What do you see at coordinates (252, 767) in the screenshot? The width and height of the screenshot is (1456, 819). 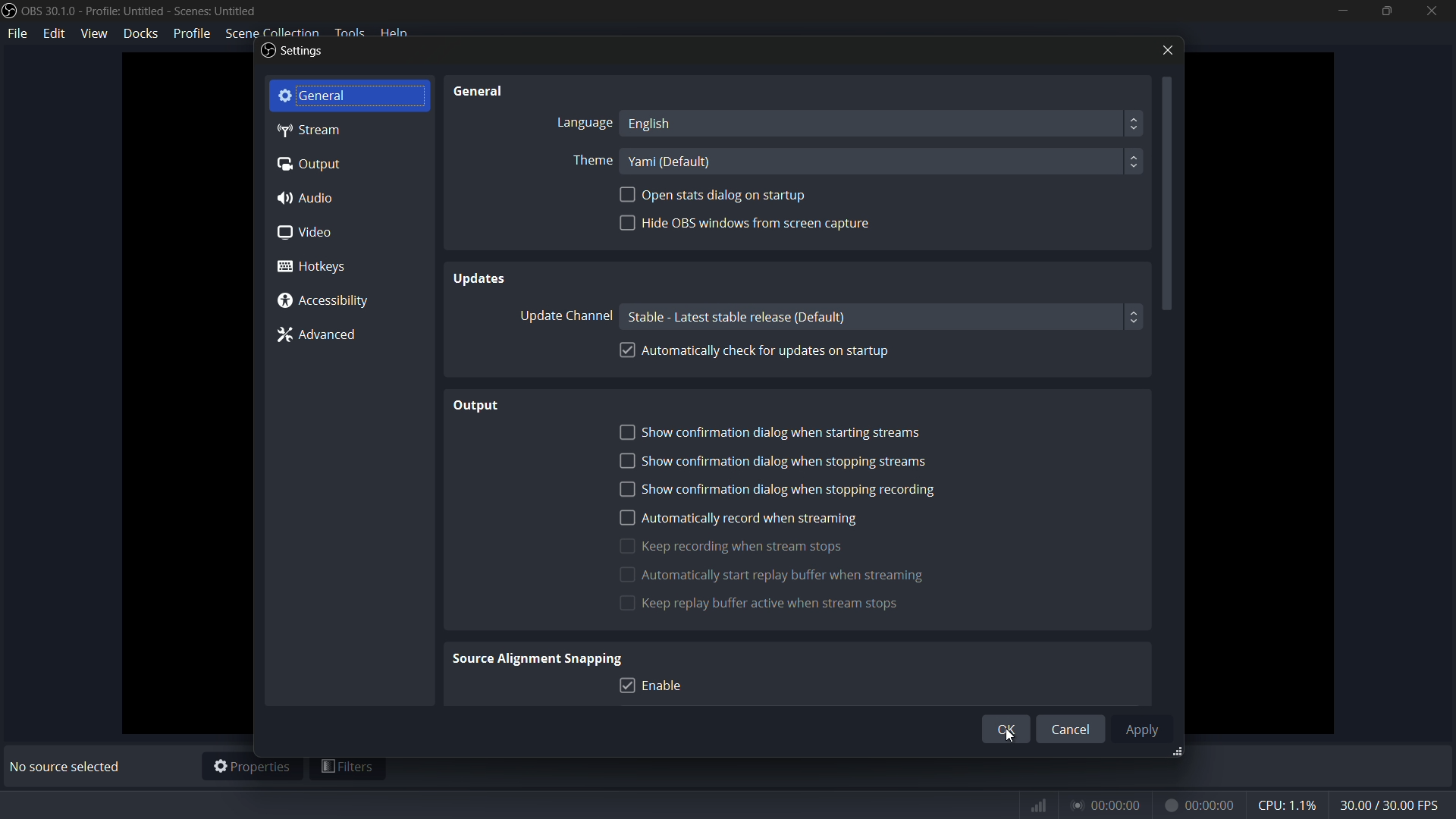 I see `Properties` at bounding box center [252, 767].